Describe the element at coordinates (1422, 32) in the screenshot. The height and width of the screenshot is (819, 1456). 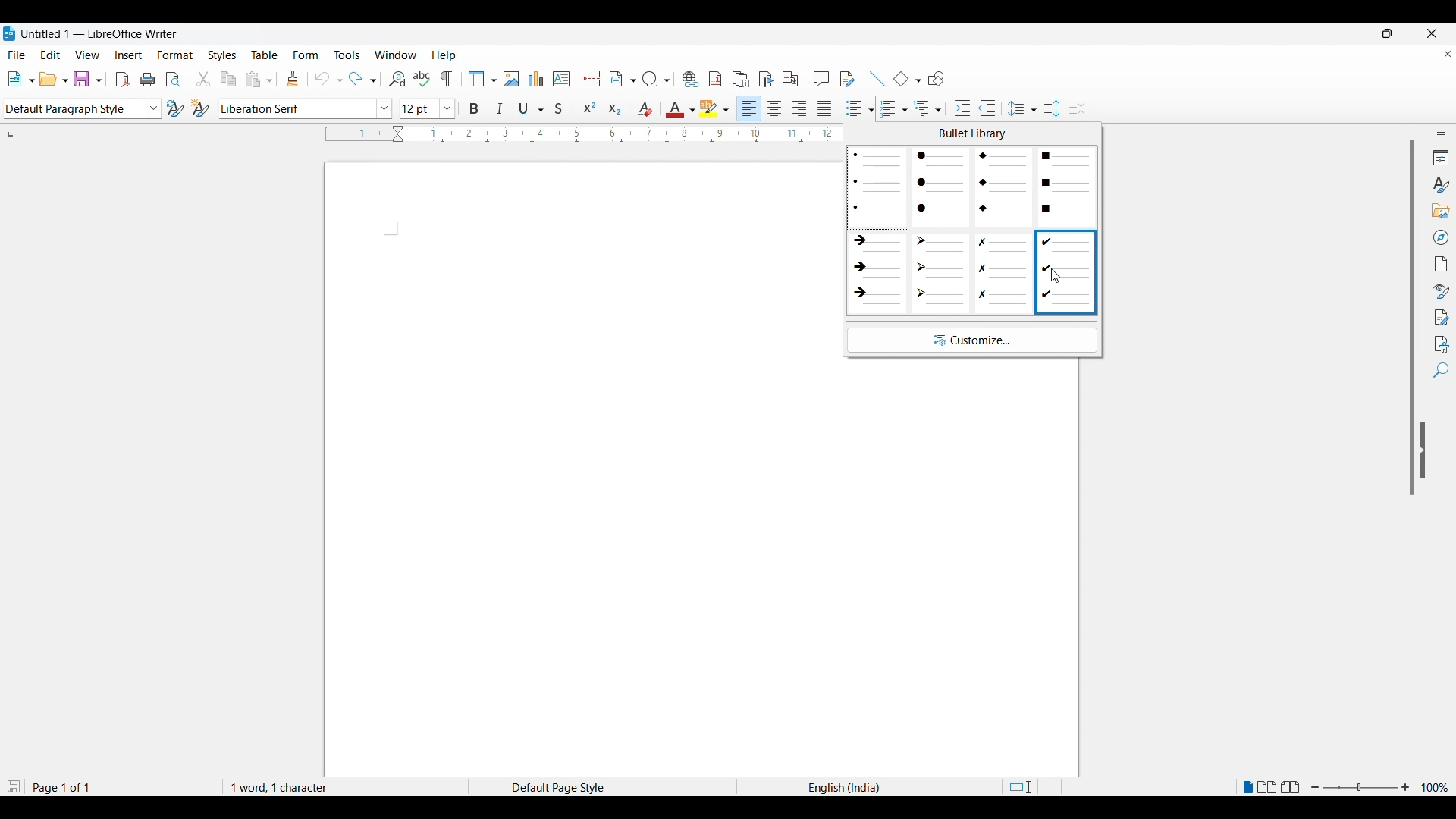
I see `close` at that location.